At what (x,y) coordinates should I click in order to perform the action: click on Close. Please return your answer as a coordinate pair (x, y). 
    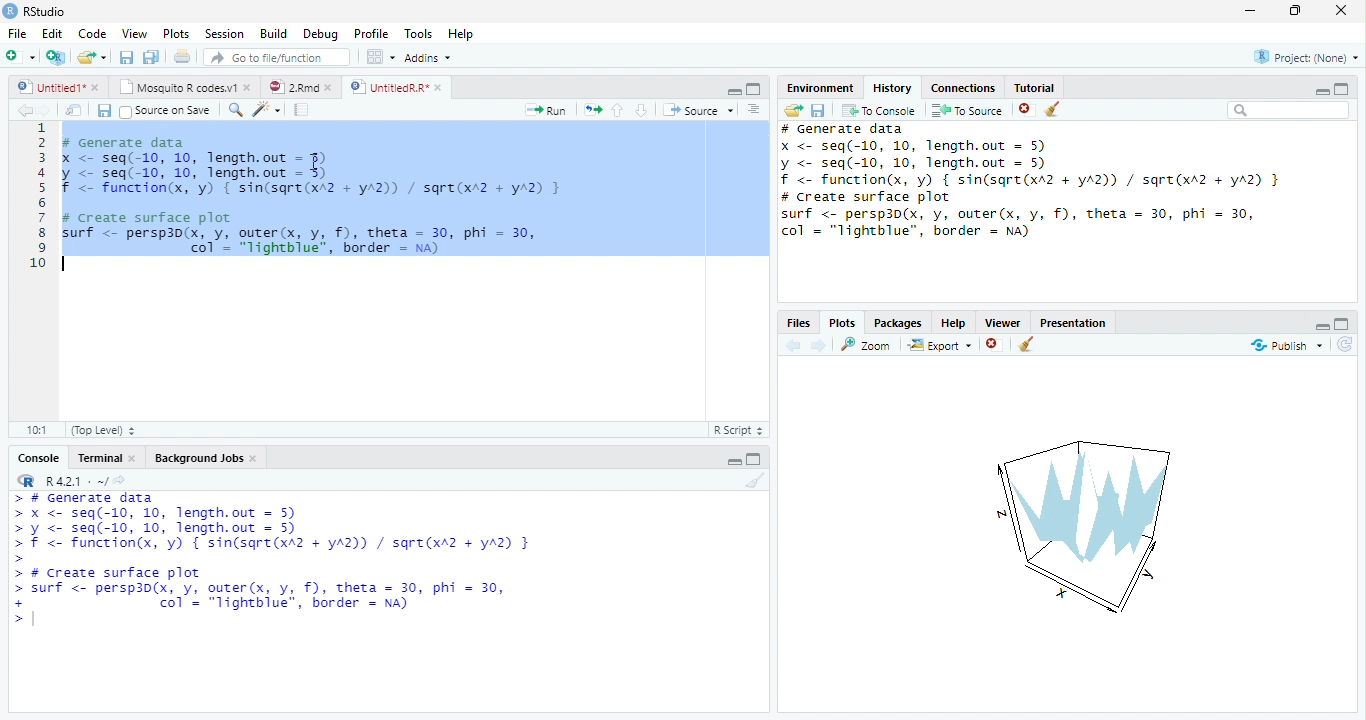
    Looking at the image, I should click on (133, 458).